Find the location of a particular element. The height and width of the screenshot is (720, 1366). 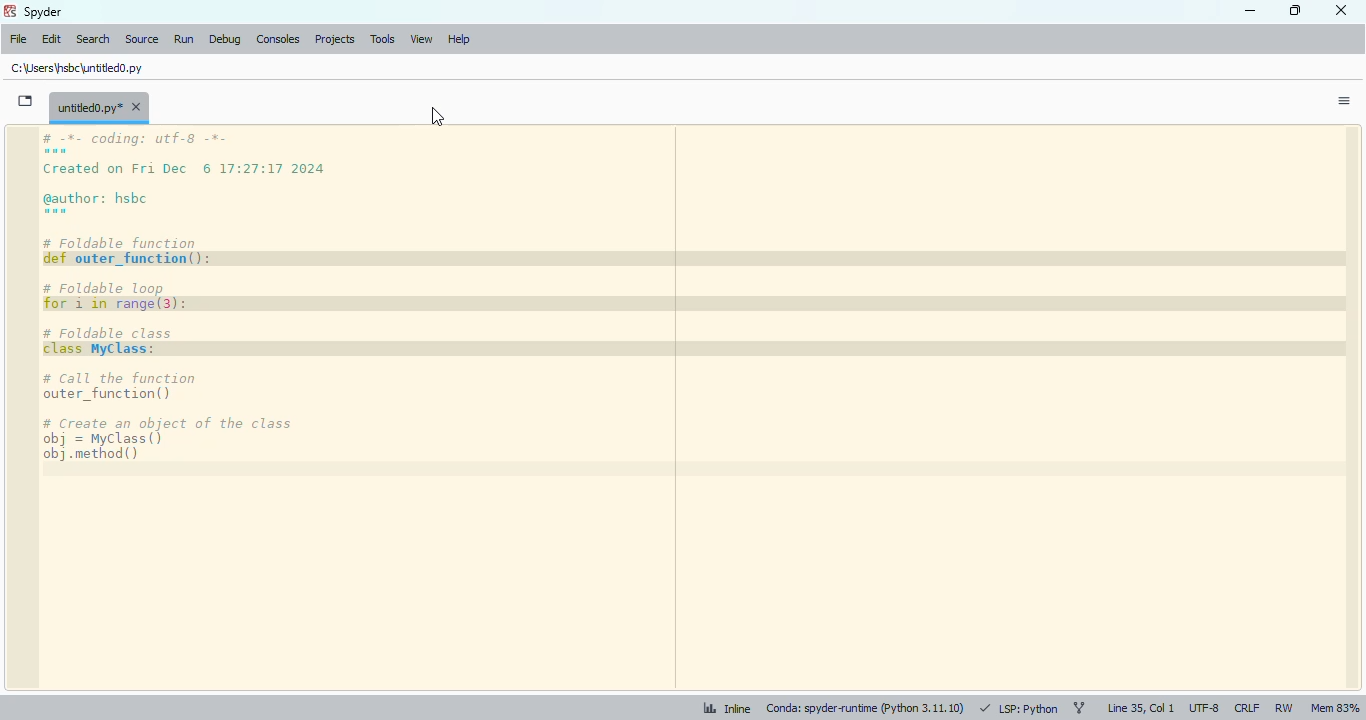

edit is located at coordinates (51, 39).